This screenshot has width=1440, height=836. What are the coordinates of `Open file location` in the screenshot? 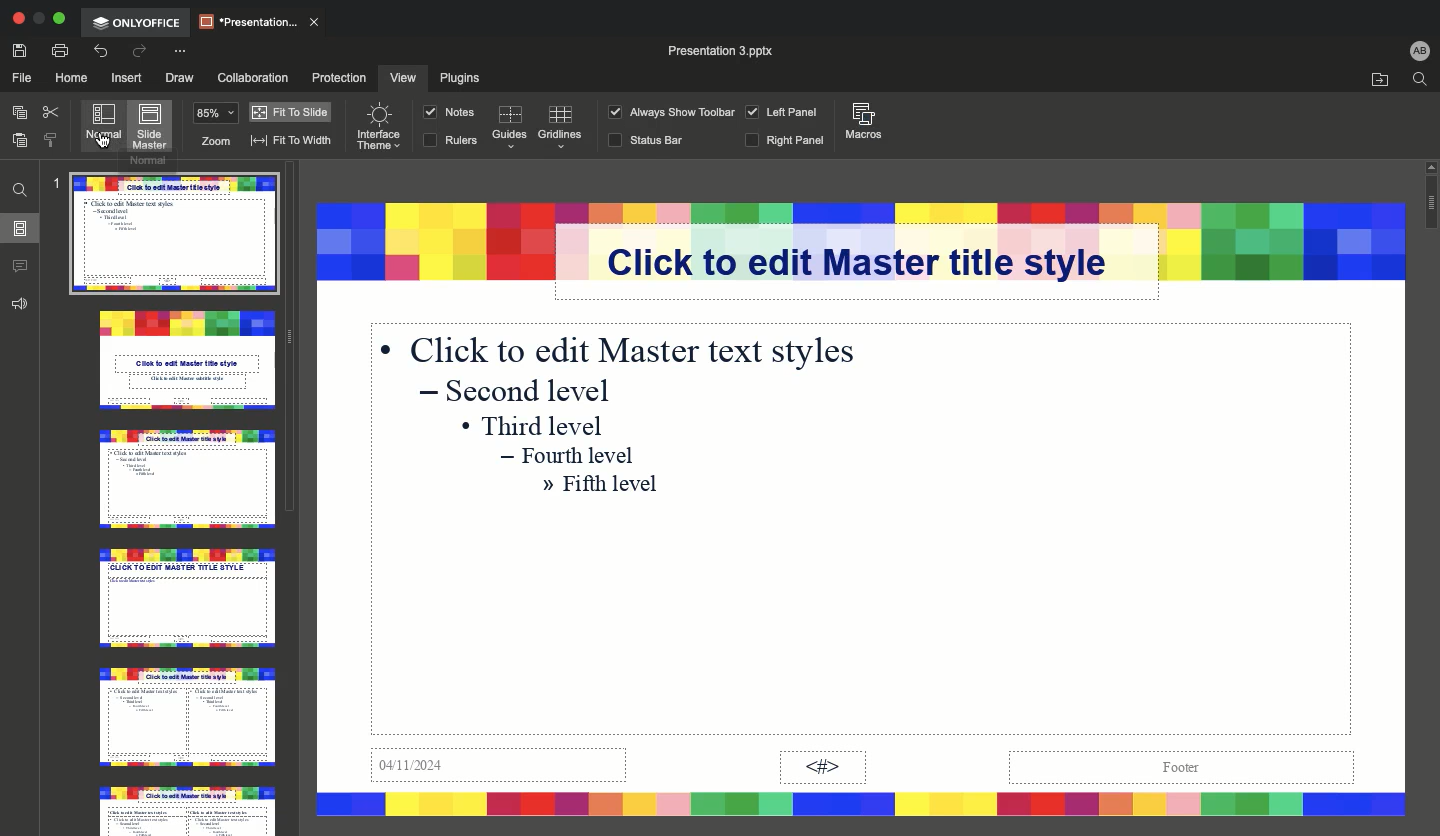 It's located at (1376, 79).